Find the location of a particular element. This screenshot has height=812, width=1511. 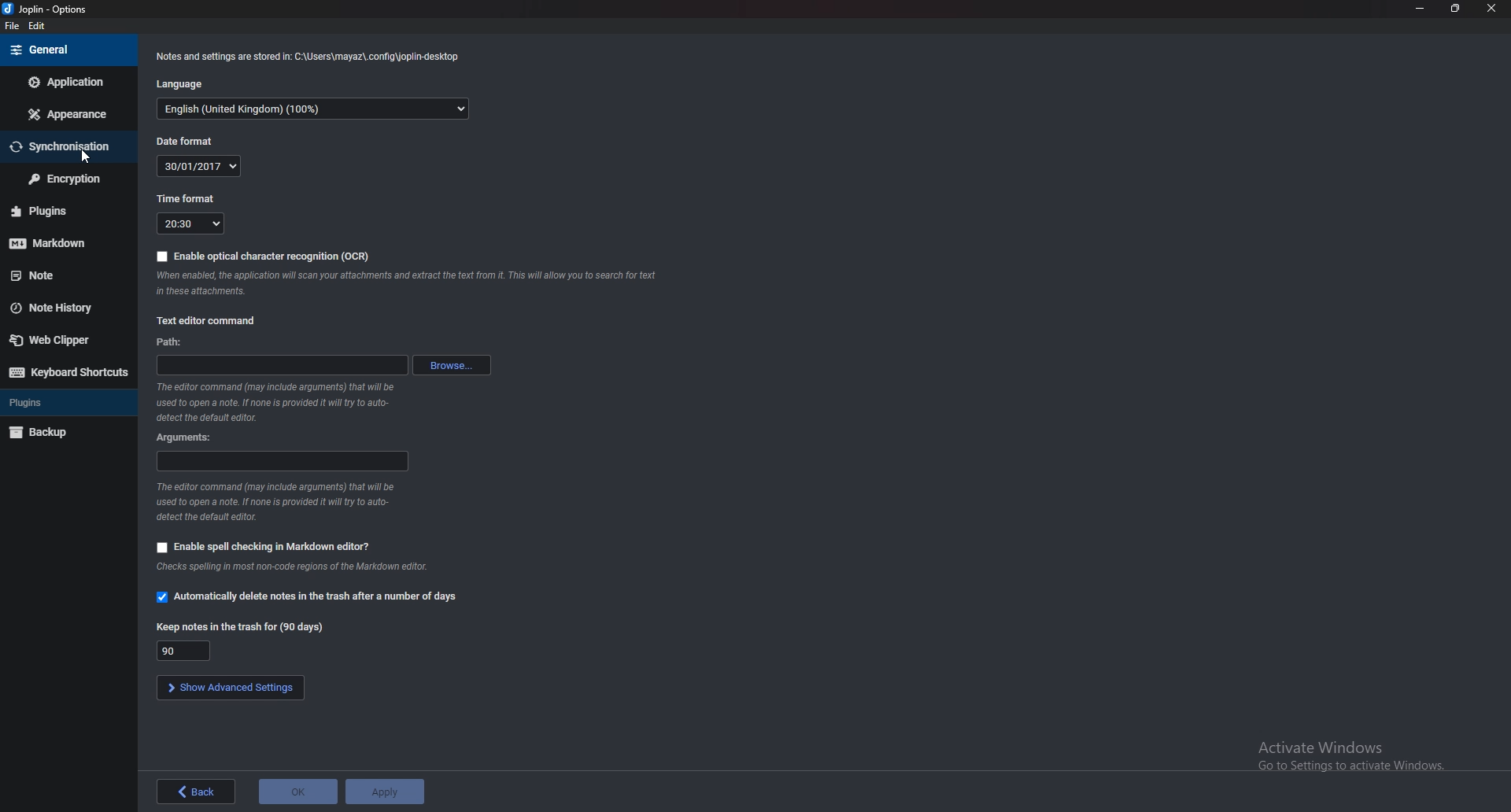

plugins is located at coordinates (63, 403).